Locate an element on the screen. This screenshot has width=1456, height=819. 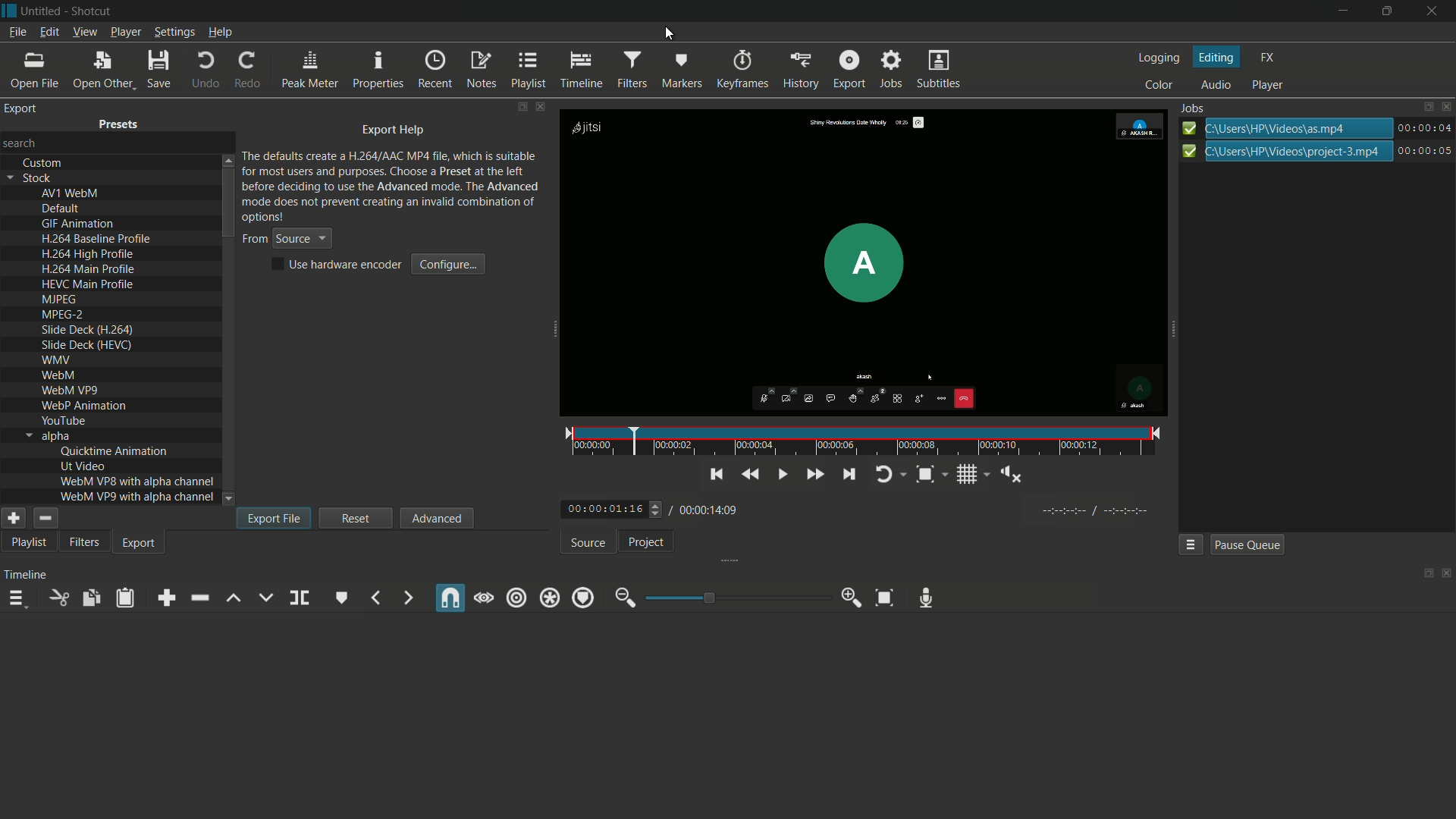
total time is located at coordinates (711, 510).